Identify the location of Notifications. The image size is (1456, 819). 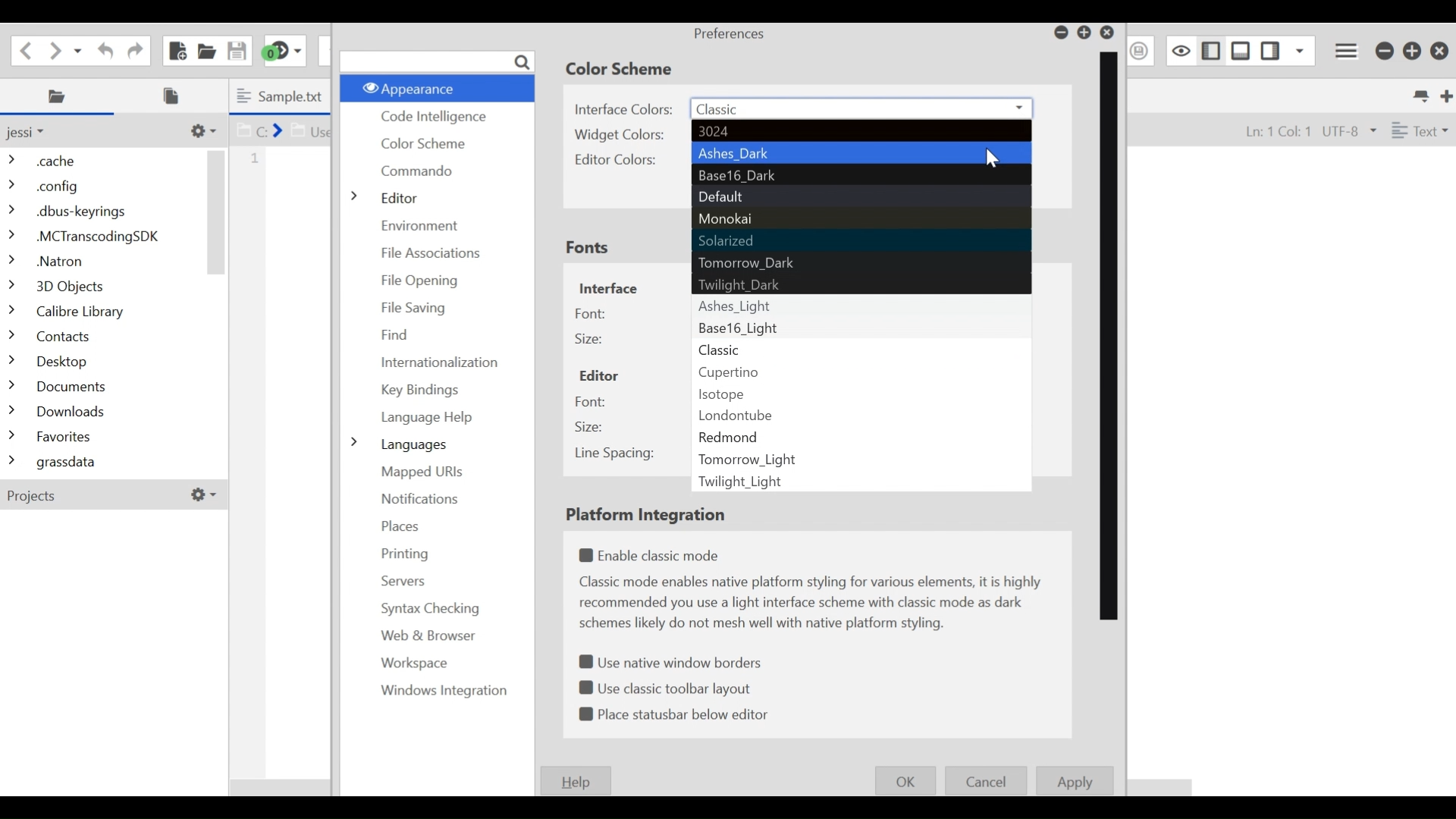
(419, 500).